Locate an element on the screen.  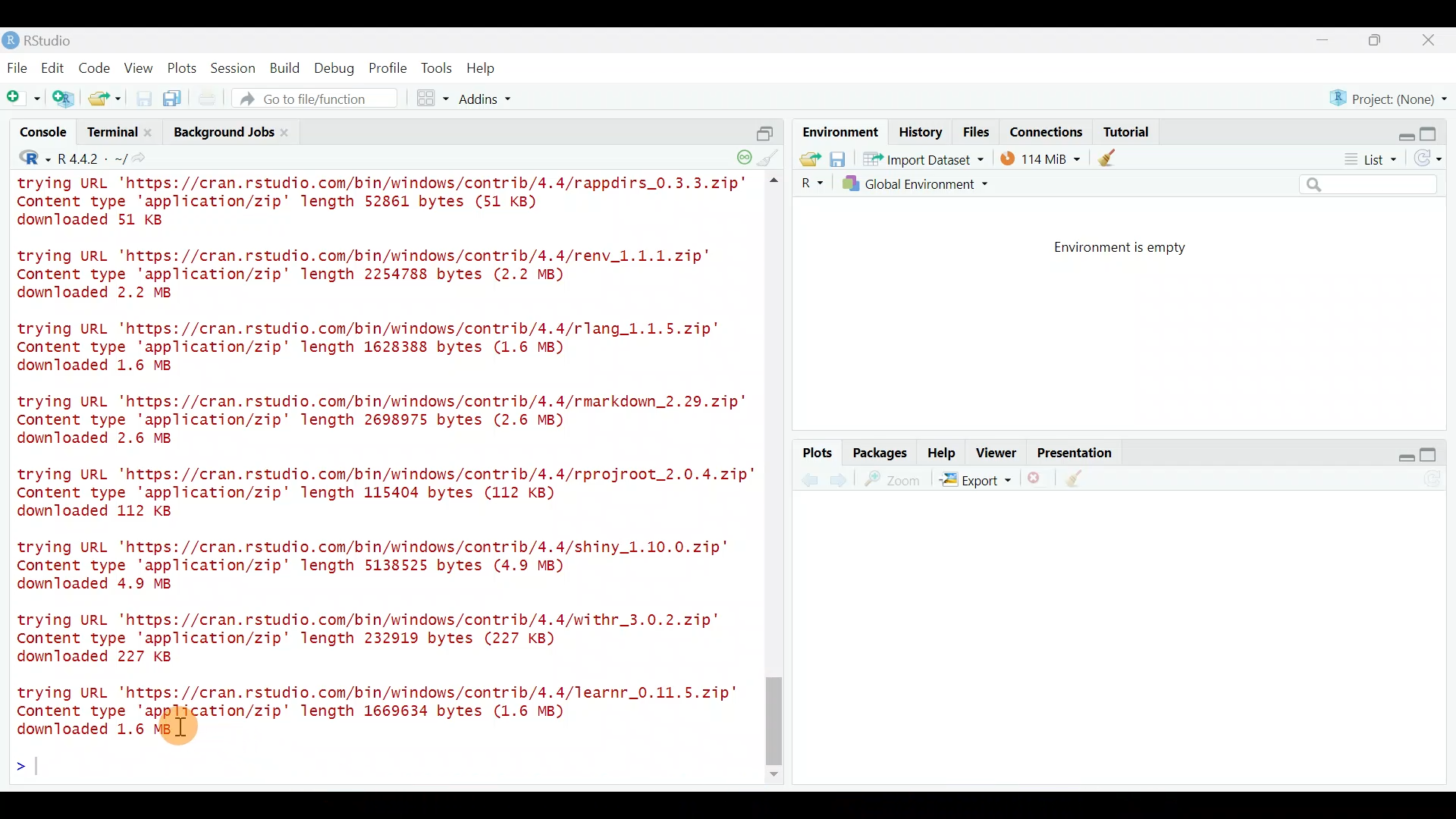
Debug is located at coordinates (333, 69).